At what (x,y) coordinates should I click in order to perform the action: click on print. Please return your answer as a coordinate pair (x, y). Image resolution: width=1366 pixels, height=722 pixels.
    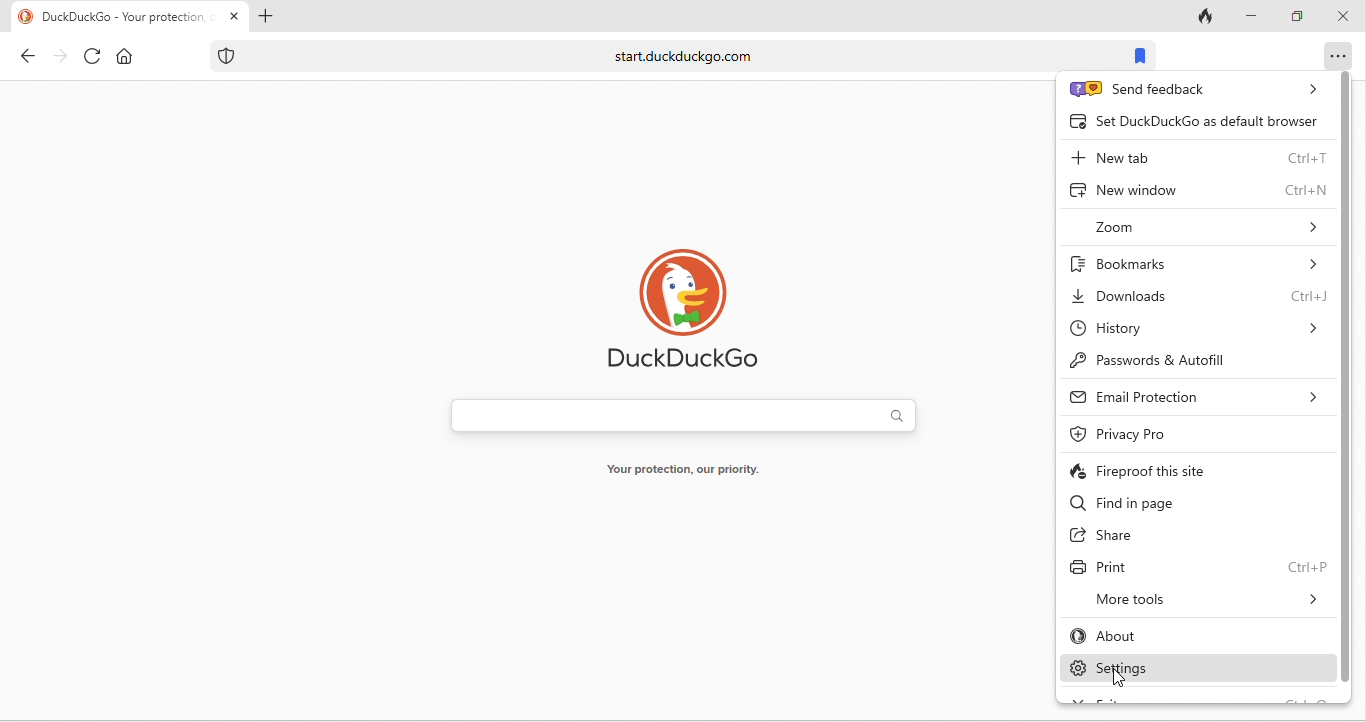
    Looking at the image, I should click on (1198, 567).